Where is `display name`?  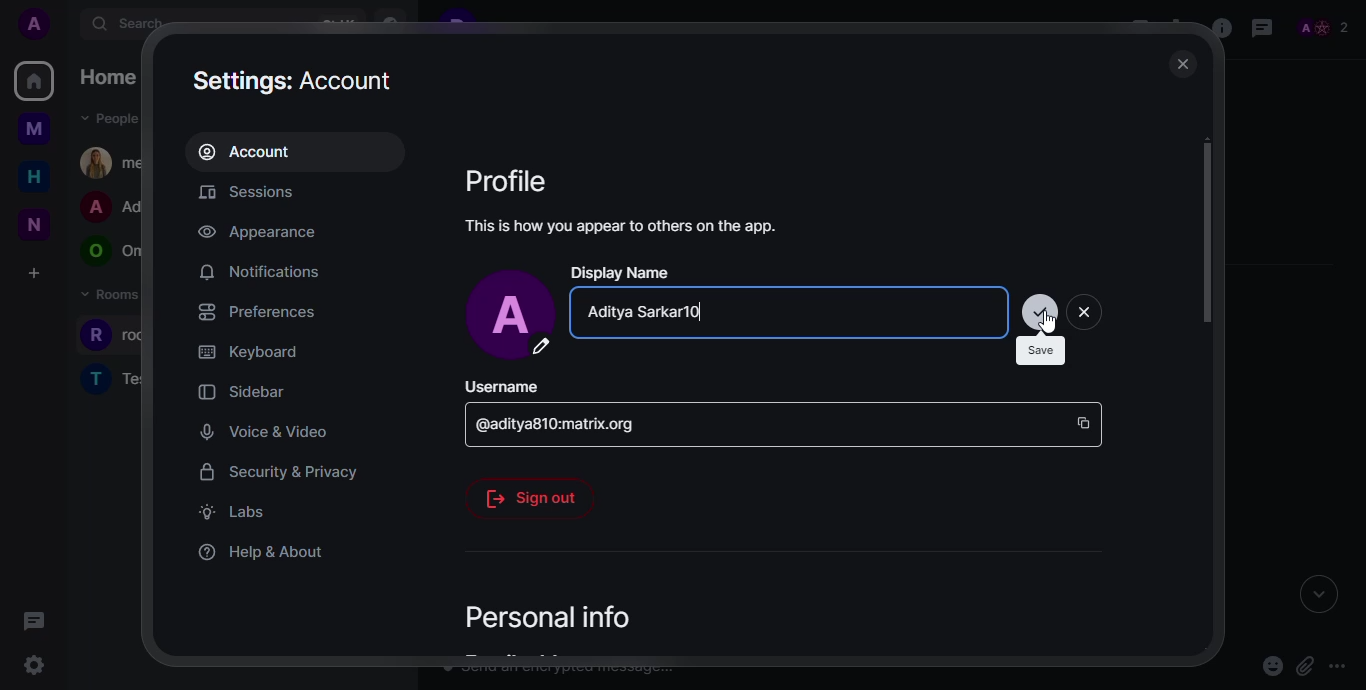 display name is located at coordinates (622, 272).